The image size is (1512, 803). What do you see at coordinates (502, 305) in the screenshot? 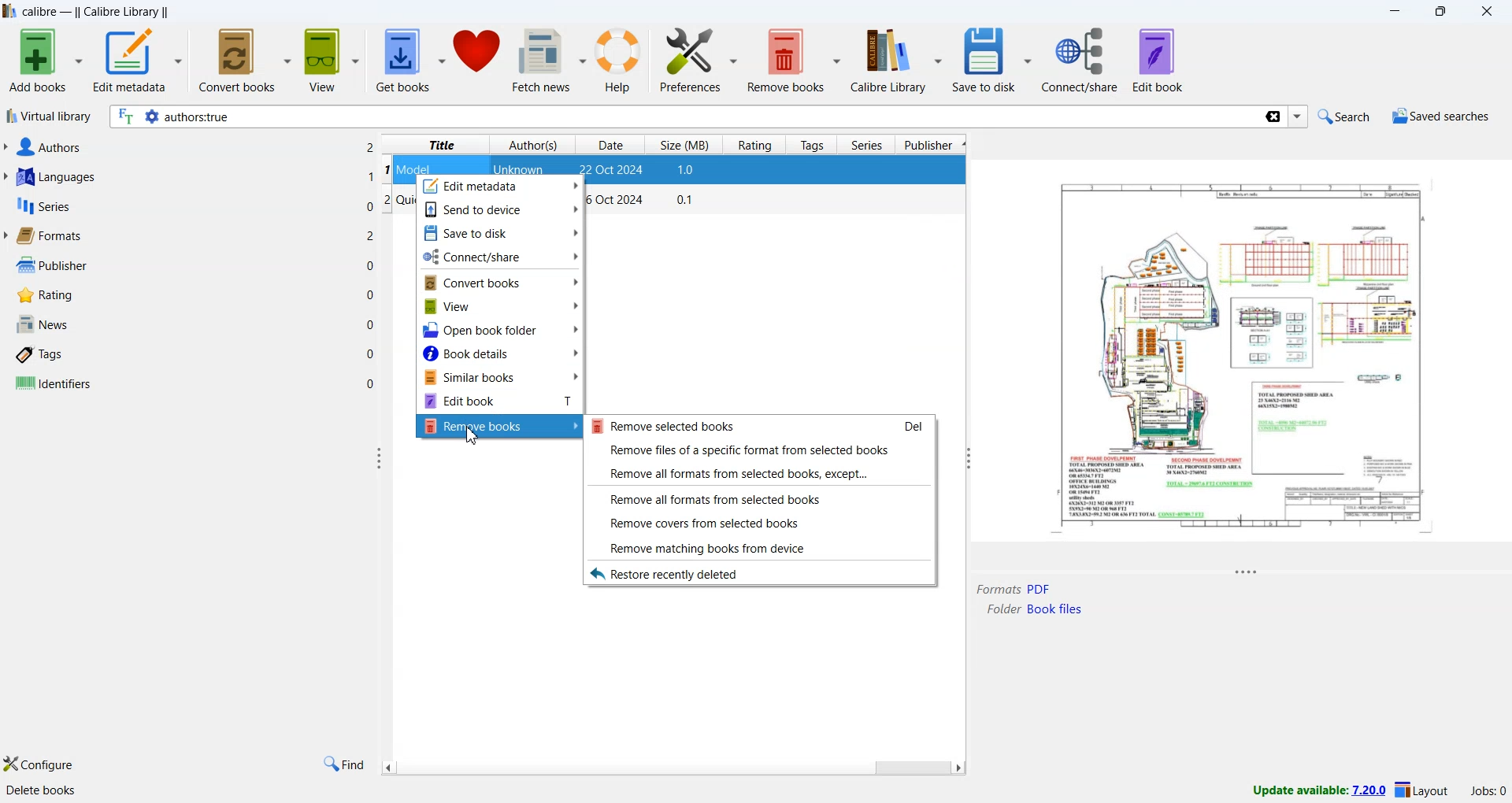
I see `View` at bounding box center [502, 305].